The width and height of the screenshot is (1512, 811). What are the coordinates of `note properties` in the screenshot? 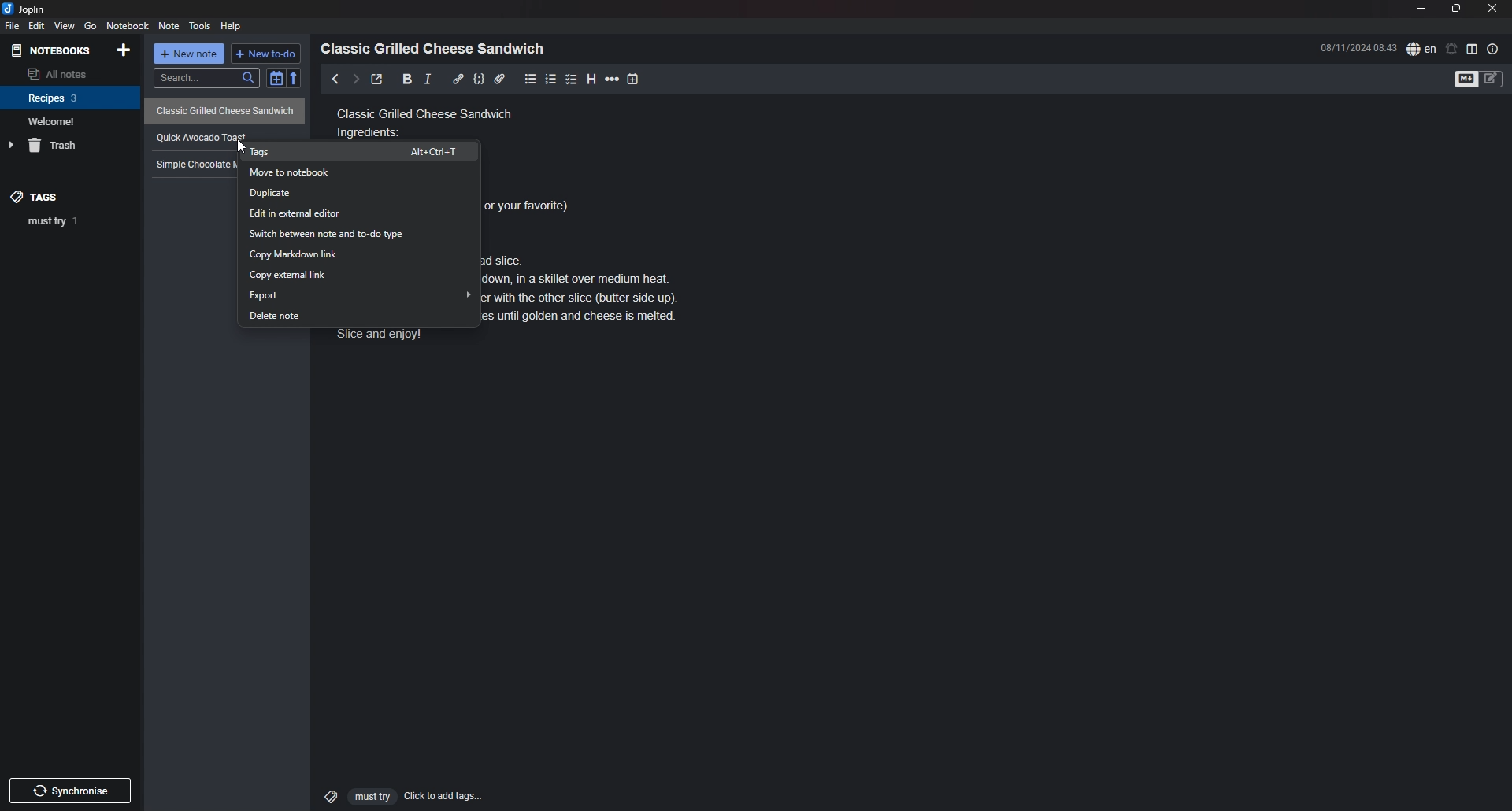 It's located at (1493, 49).